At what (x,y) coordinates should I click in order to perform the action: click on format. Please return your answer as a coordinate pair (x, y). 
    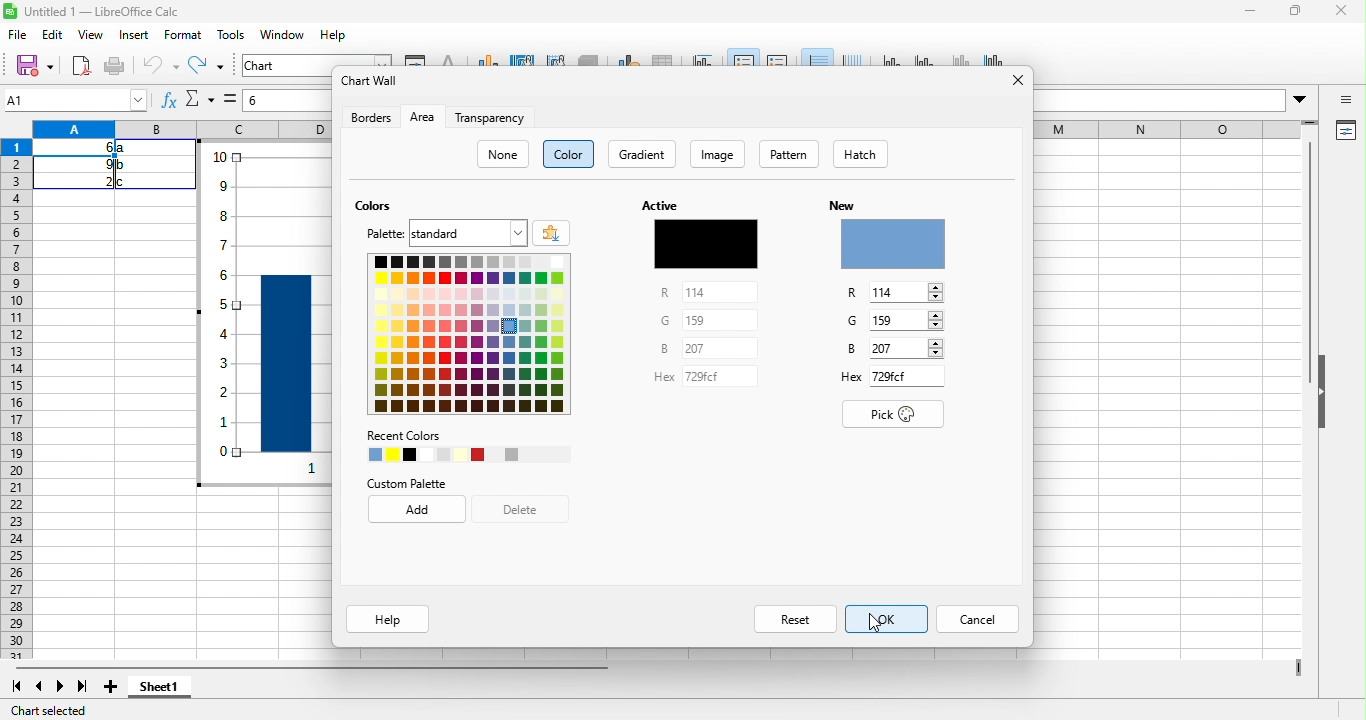
    Looking at the image, I should click on (186, 34).